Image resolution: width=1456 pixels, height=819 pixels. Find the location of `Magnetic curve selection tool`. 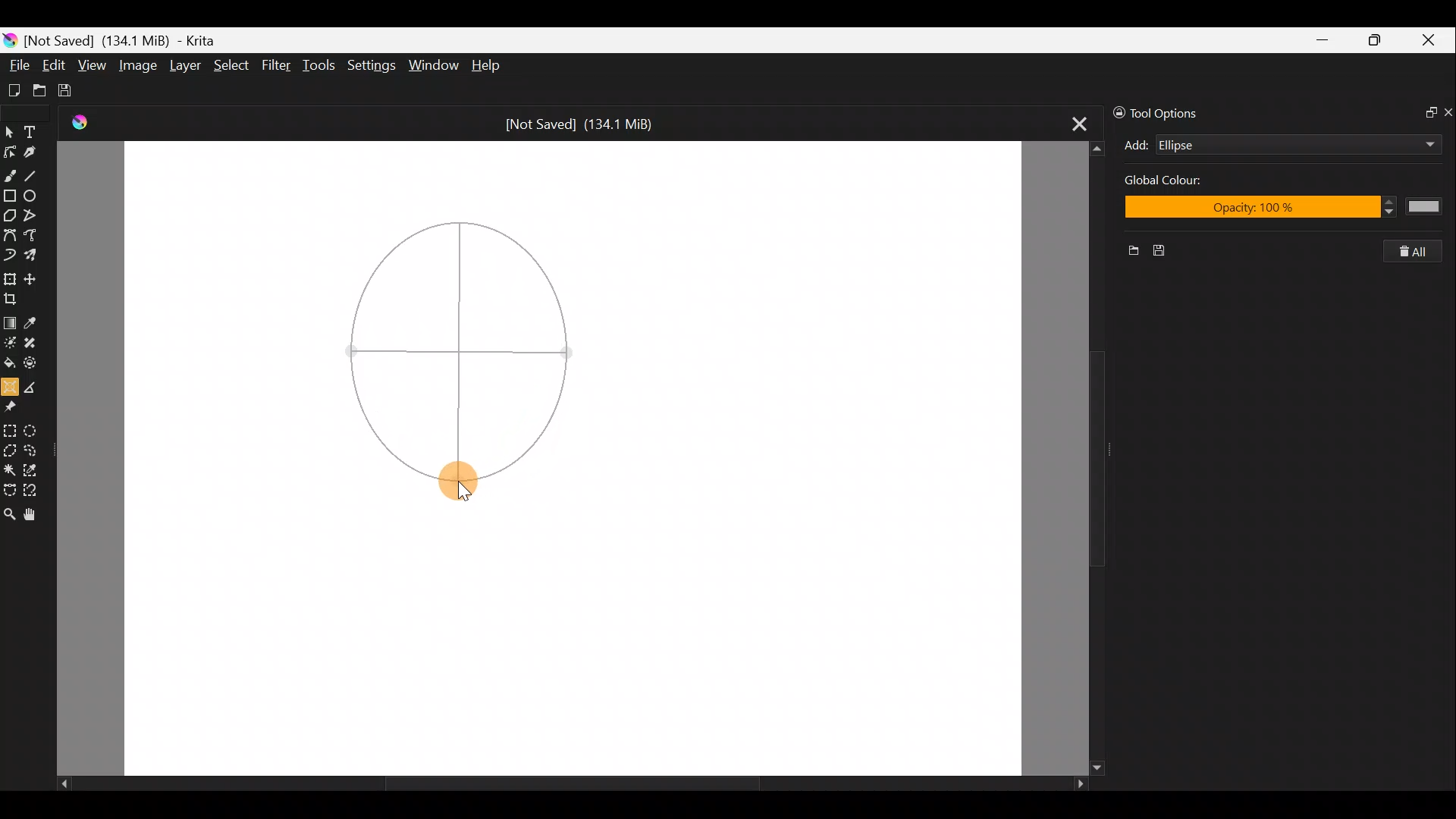

Magnetic curve selection tool is located at coordinates (36, 488).